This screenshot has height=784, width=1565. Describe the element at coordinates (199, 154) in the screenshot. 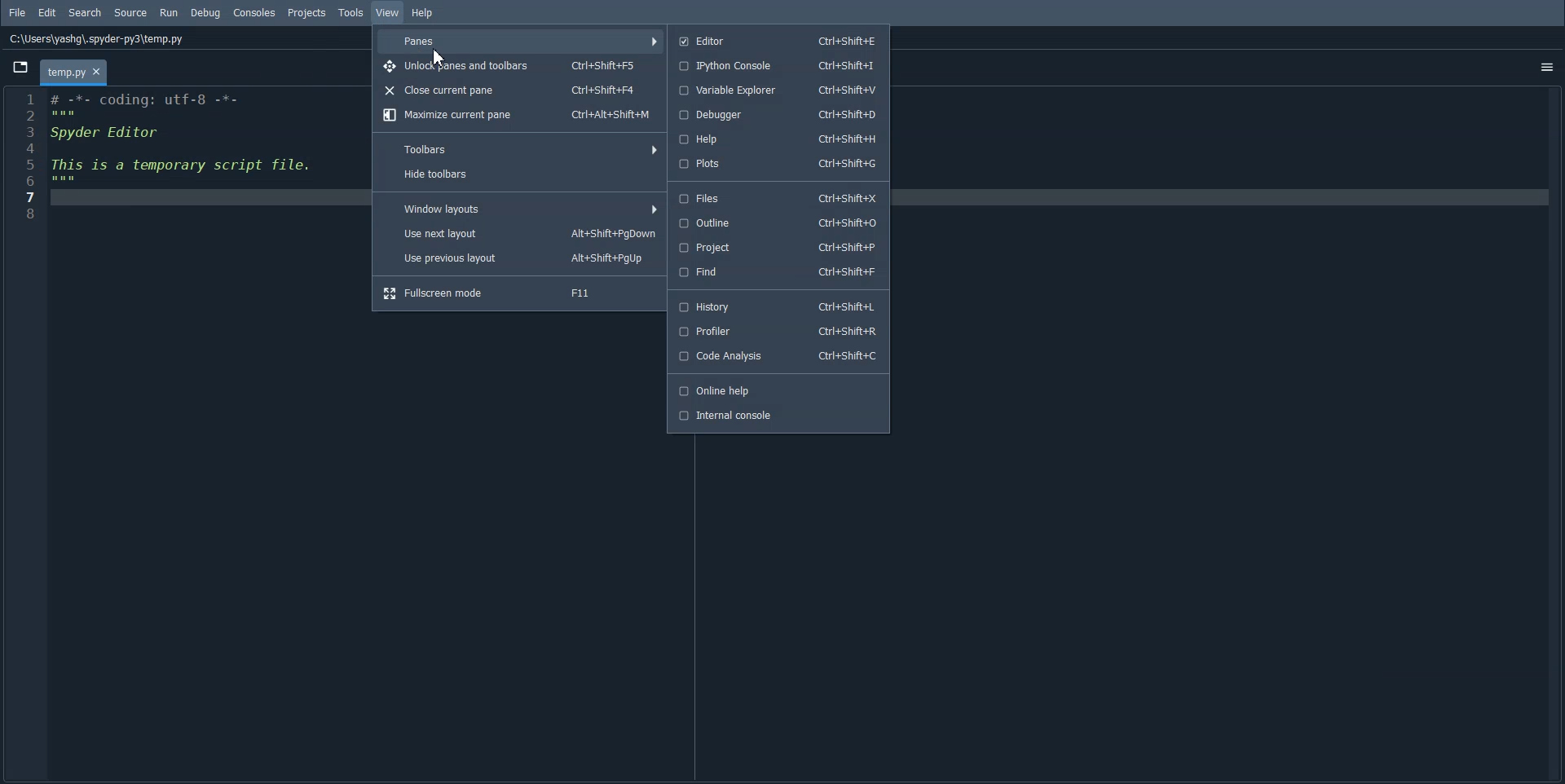

I see `# -*- coding: utf-8 -*- """ Spyder Editor  This is a temporary script file. """` at that location.